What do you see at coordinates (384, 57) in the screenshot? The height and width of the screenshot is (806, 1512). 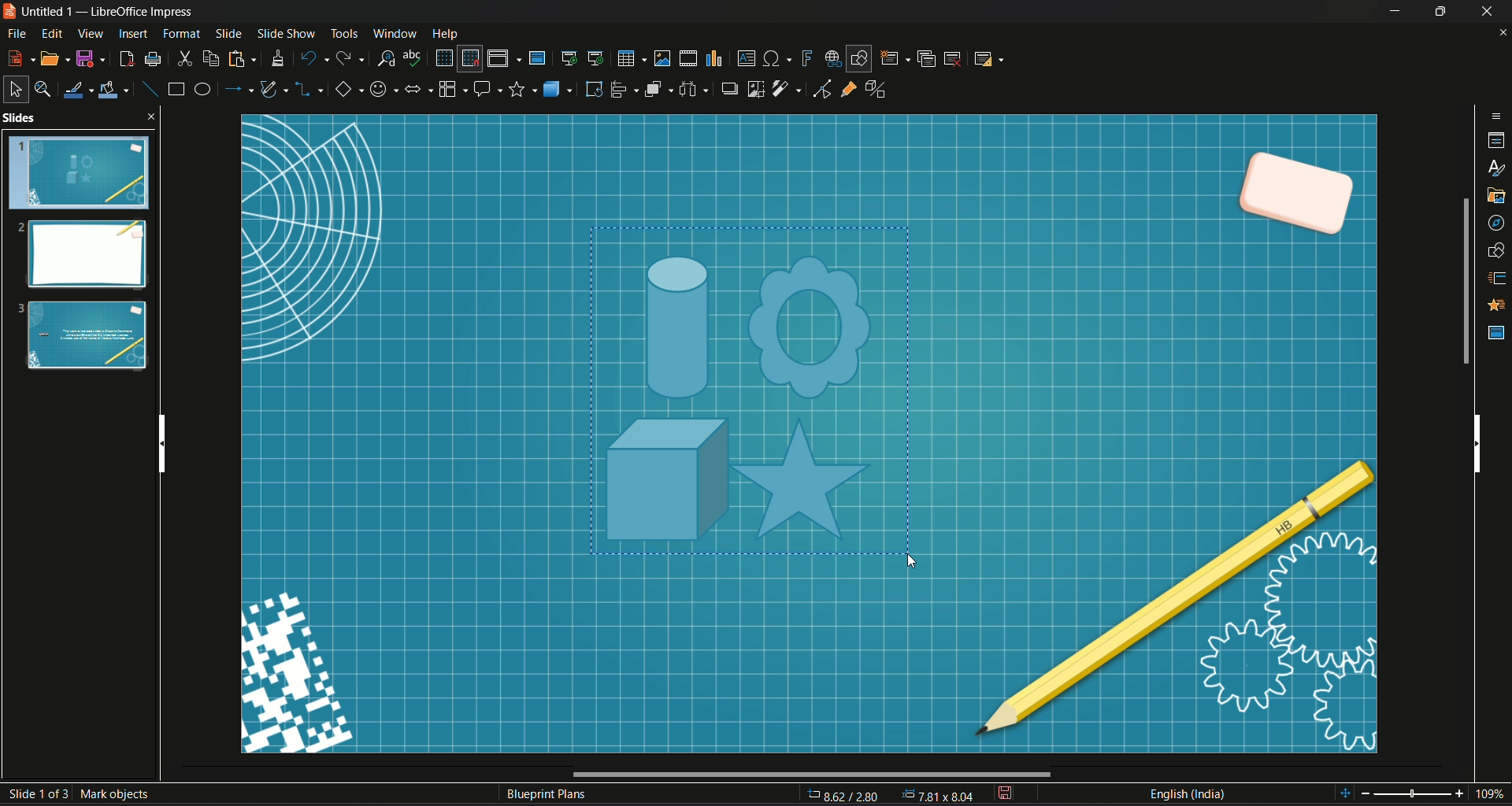 I see `find and replace` at bounding box center [384, 57].